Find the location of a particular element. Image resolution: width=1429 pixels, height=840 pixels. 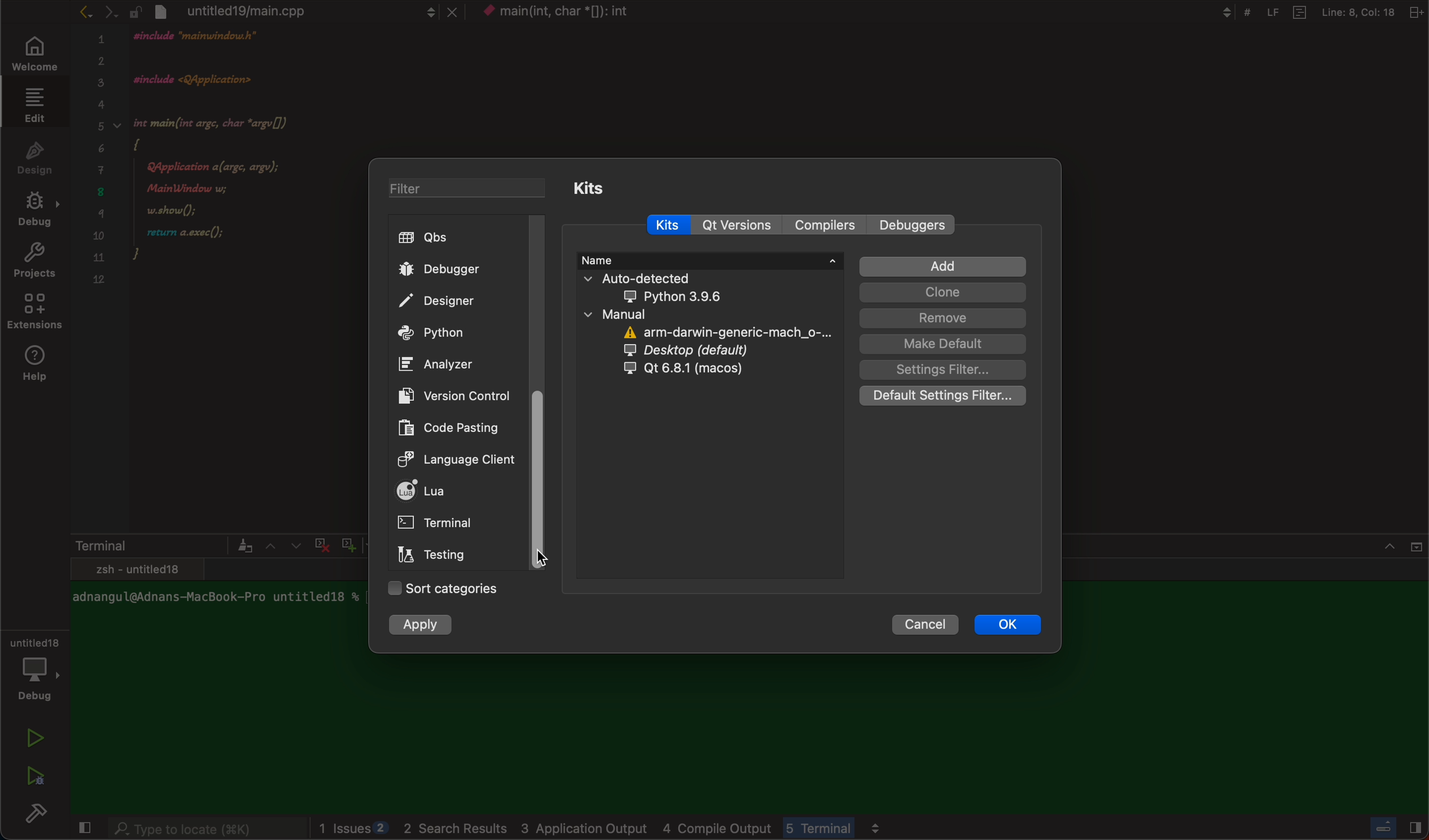

debuggers is located at coordinates (914, 226).